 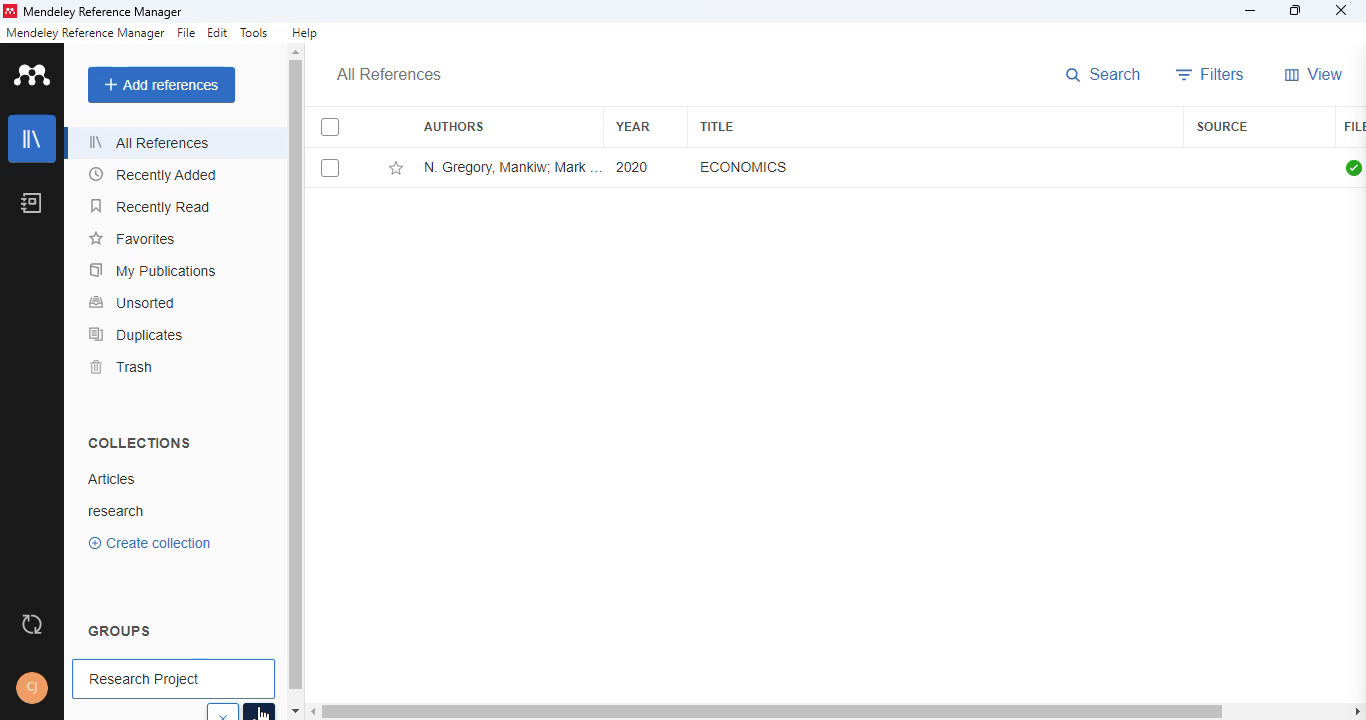 I want to click on notebook, so click(x=31, y=202).